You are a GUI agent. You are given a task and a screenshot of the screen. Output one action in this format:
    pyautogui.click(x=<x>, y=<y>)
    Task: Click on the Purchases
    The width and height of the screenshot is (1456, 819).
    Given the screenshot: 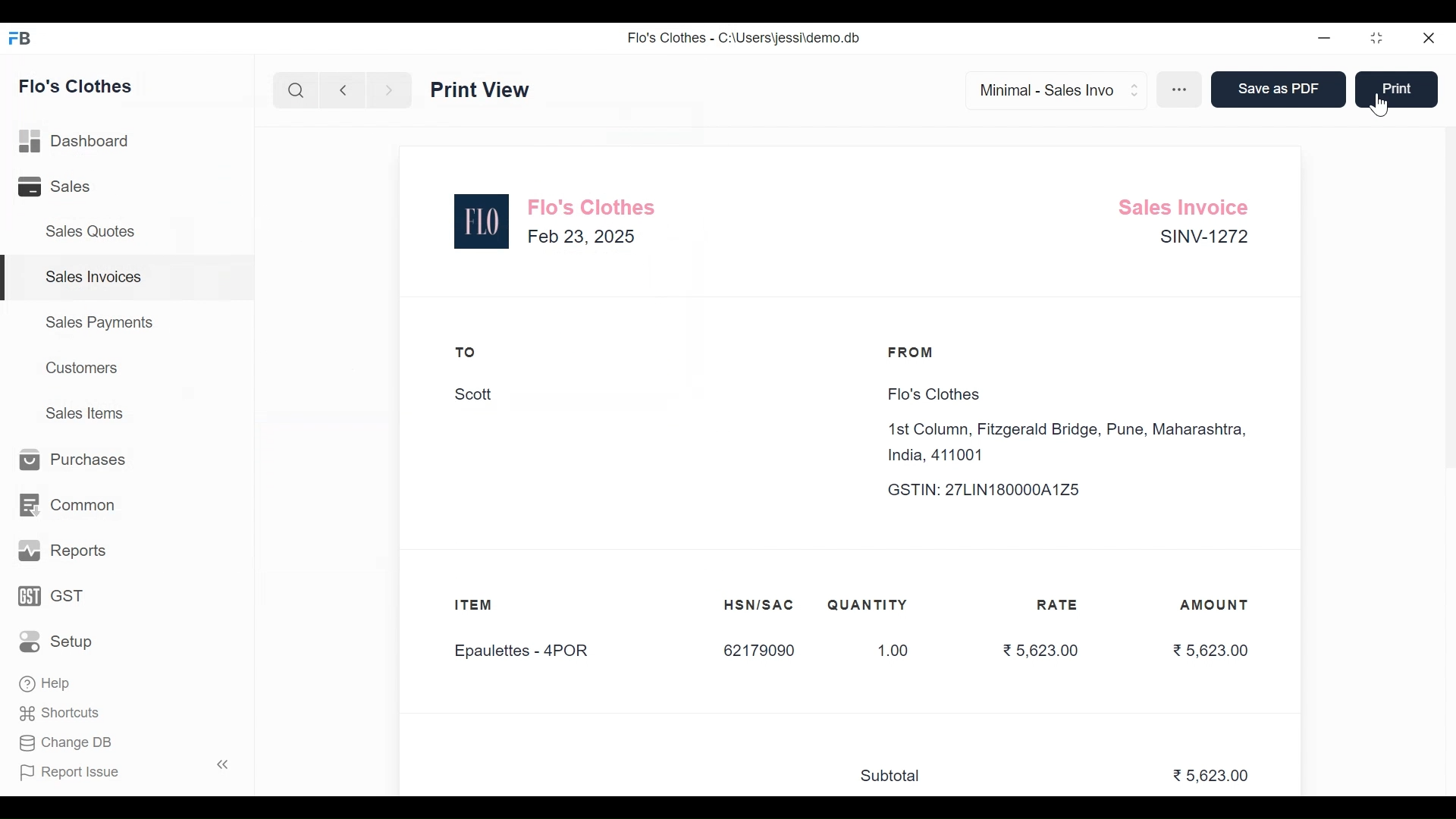 What is the action you would take?
    pyautogui.click(x=74, y=462)
    